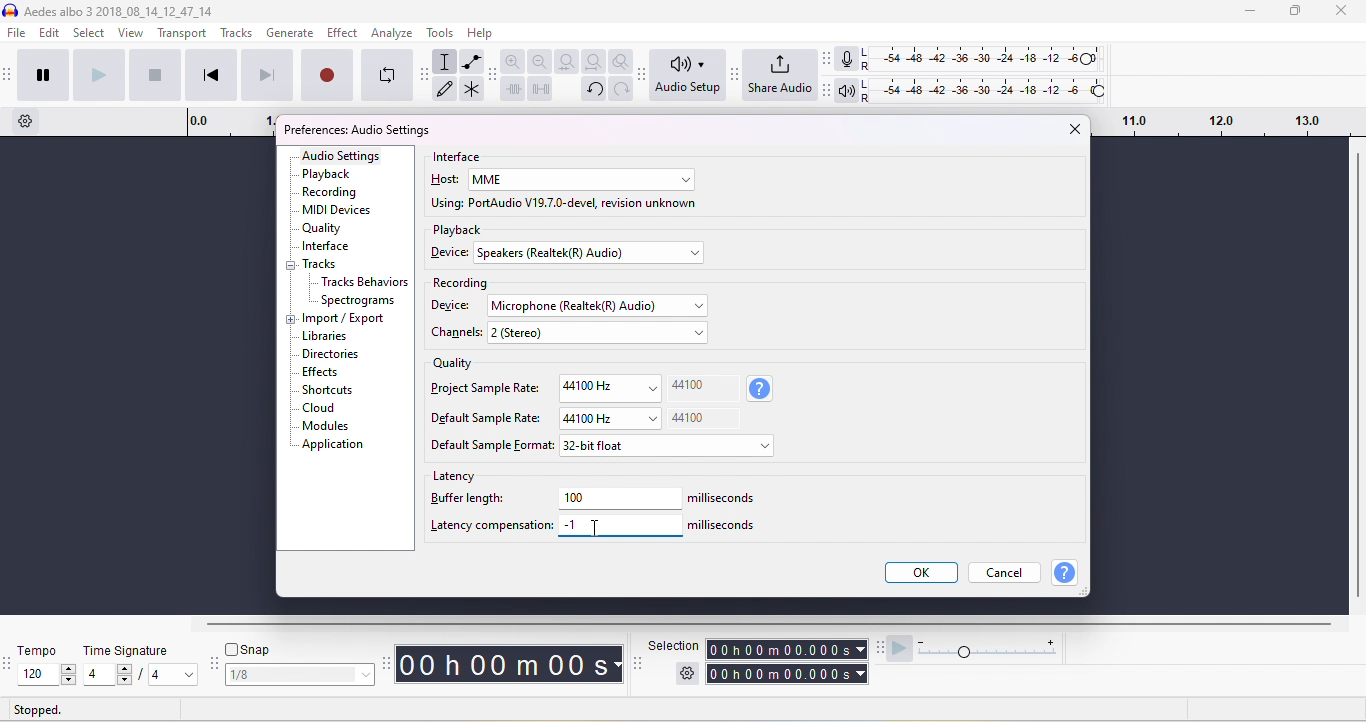 The width and height of the screenshot is (1366, 722). What do you see at coordinates (359, 301) in the screenshot?
I see `spectrograms` at bounding box center [359, 301].